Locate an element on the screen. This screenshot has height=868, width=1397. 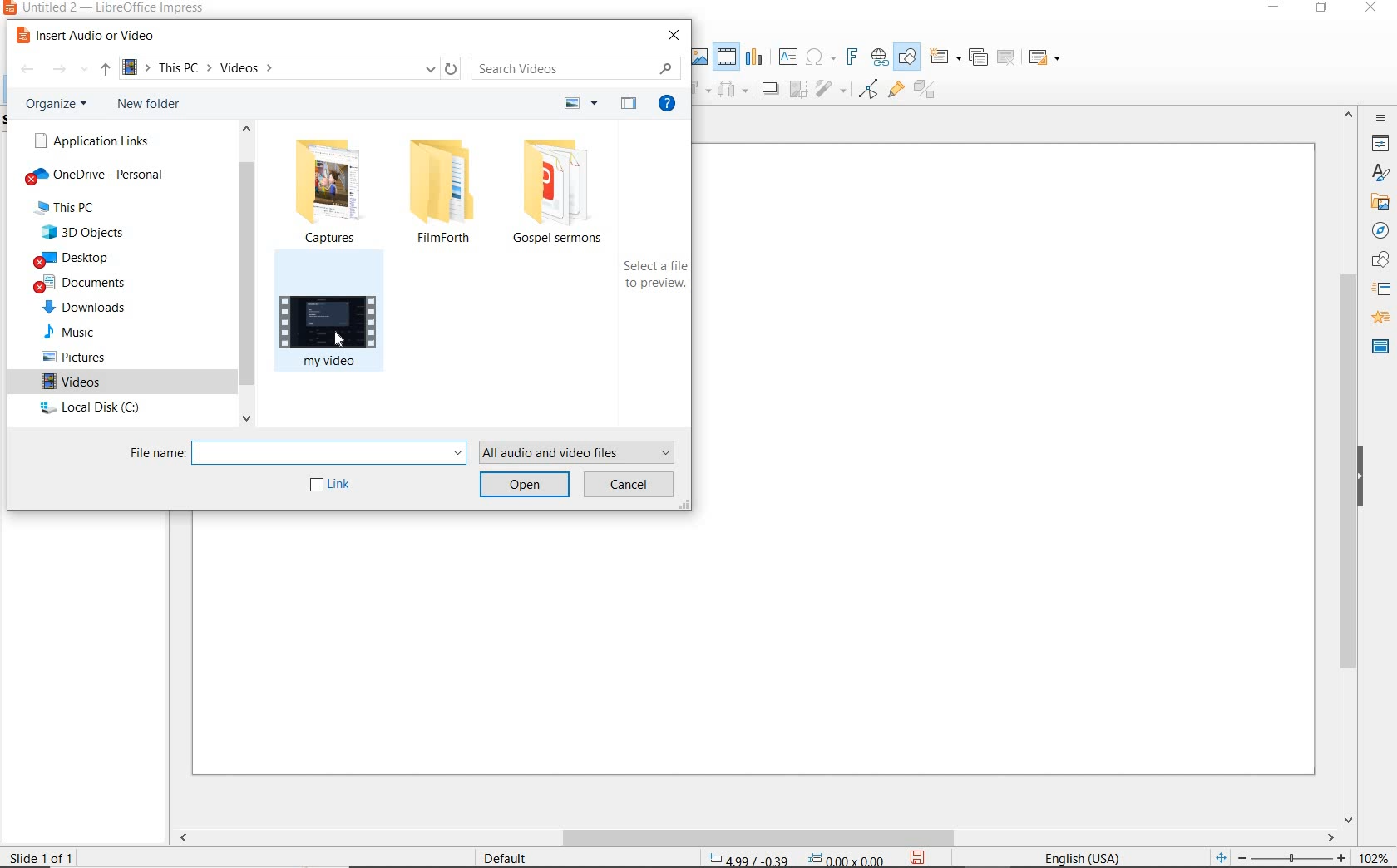
TOGGLE EXTRUSION is located at coordinates (926, 91).